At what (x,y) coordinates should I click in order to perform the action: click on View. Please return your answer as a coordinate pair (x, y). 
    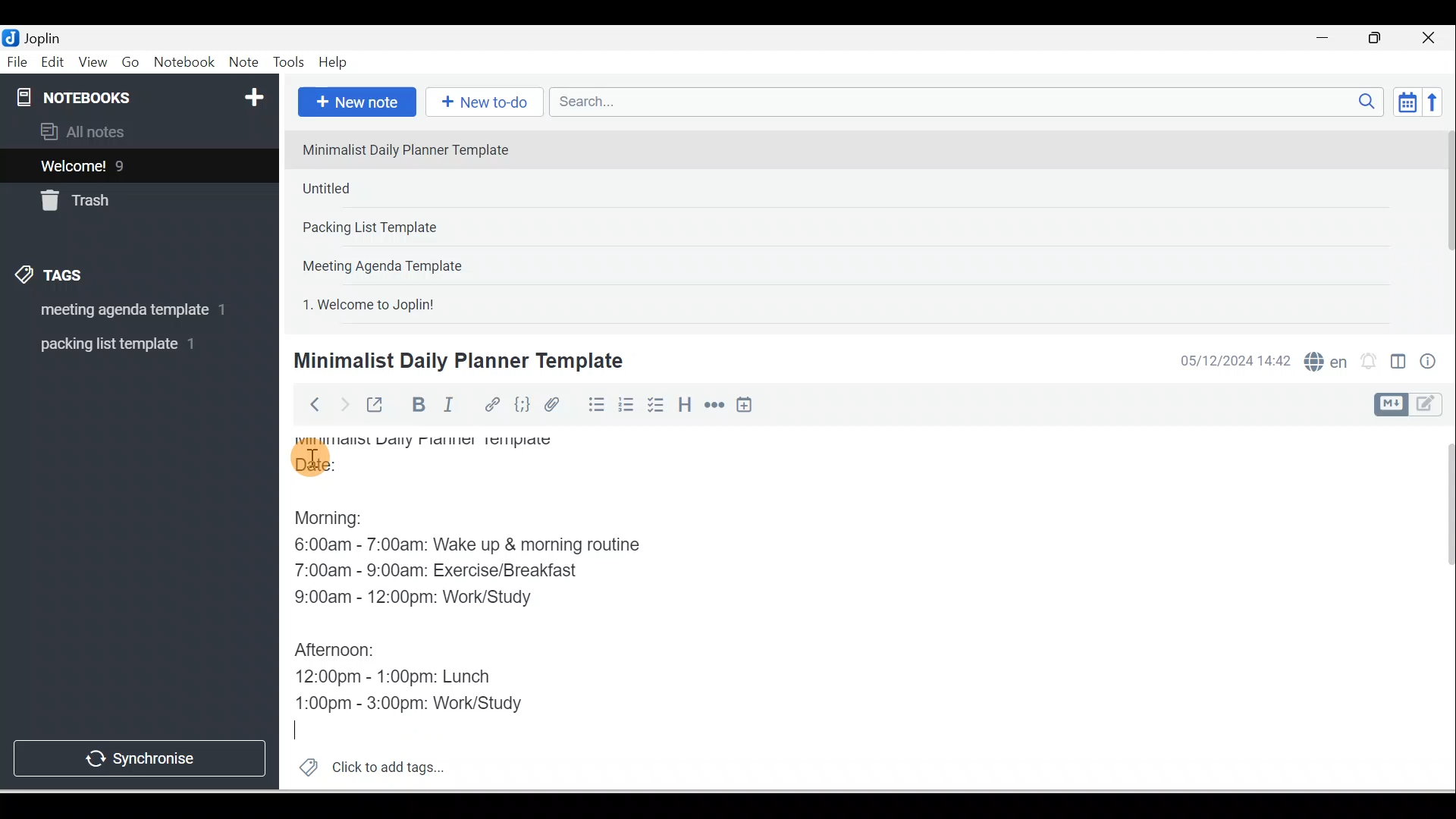
    Looking at the image, I should click on (93, 63).